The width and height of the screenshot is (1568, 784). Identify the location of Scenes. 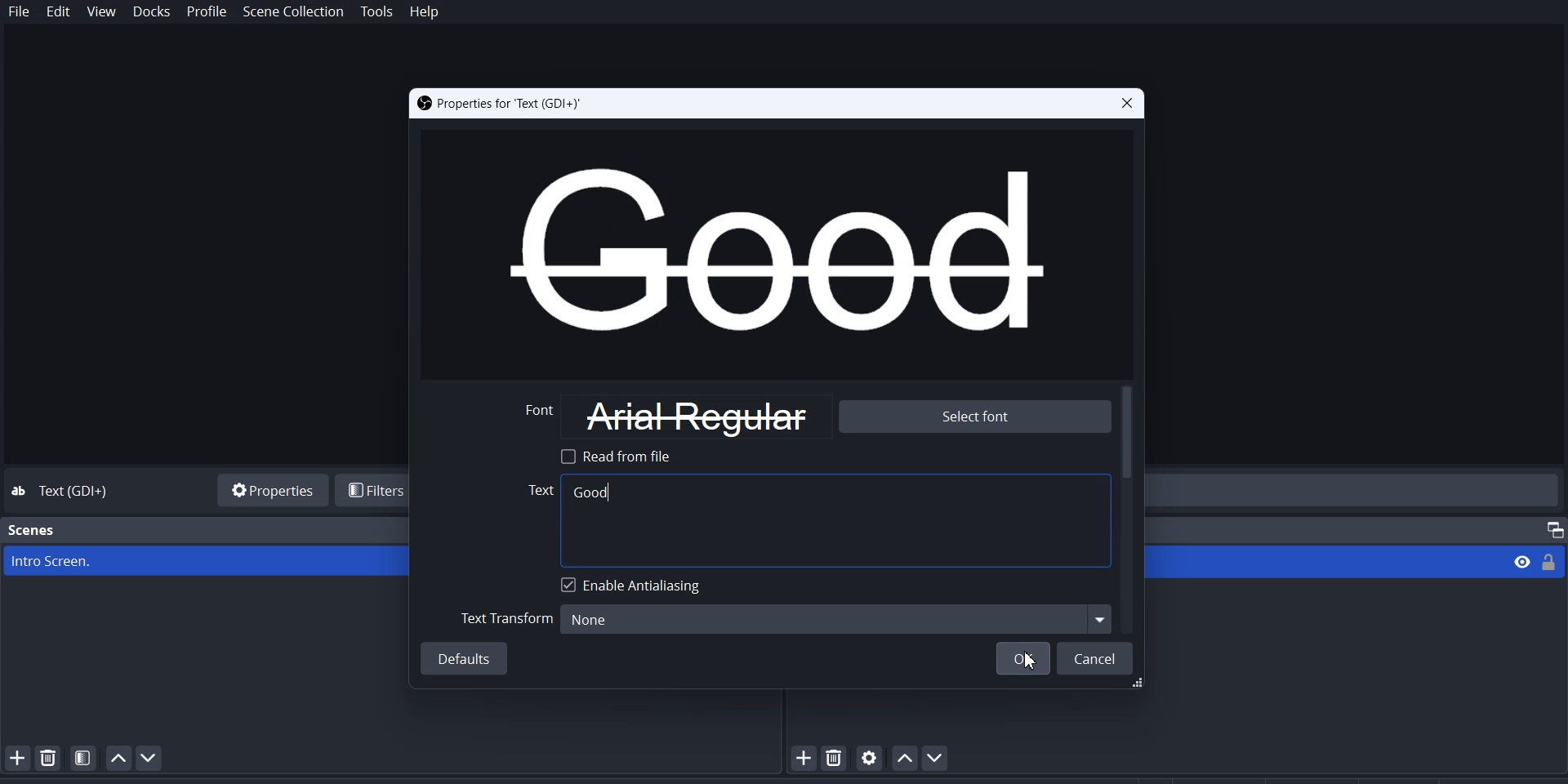
(33, 530).